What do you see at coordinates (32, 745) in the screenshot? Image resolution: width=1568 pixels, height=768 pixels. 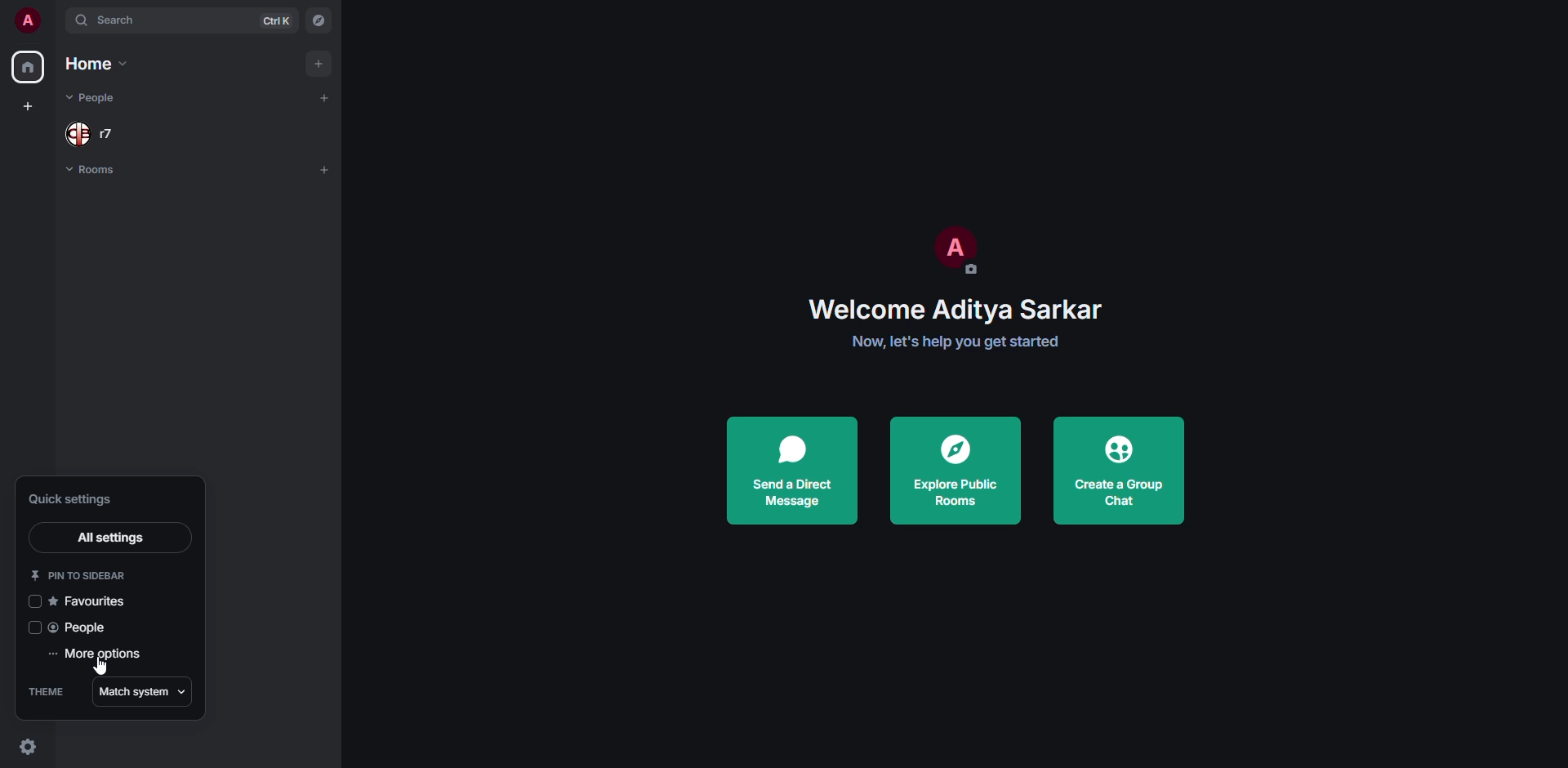 I see `quick settings` at bounding box center [32, 745].